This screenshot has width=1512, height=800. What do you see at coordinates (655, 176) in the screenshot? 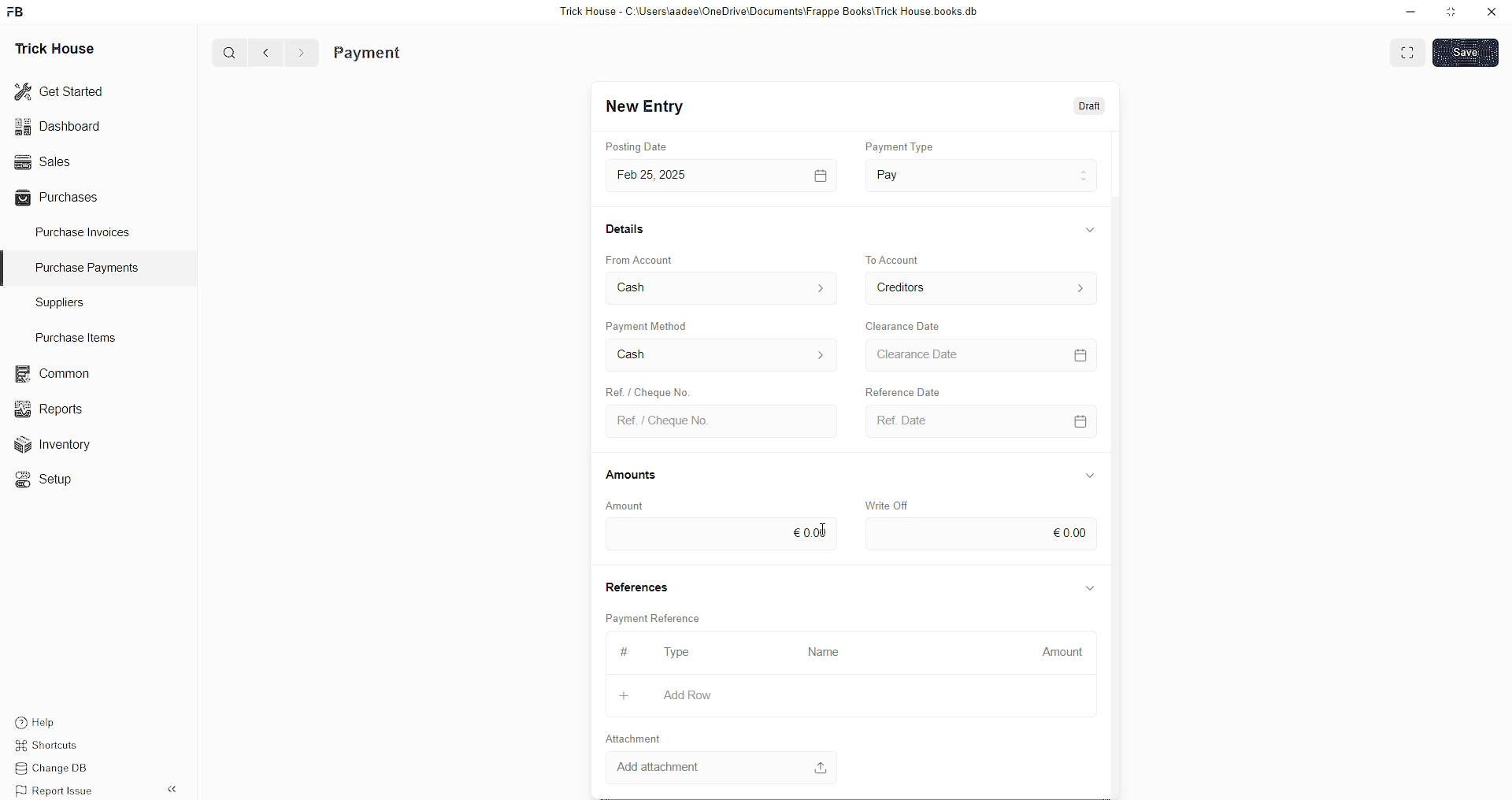
I see `Feb 25,2025` at bounding box center [655, 176].